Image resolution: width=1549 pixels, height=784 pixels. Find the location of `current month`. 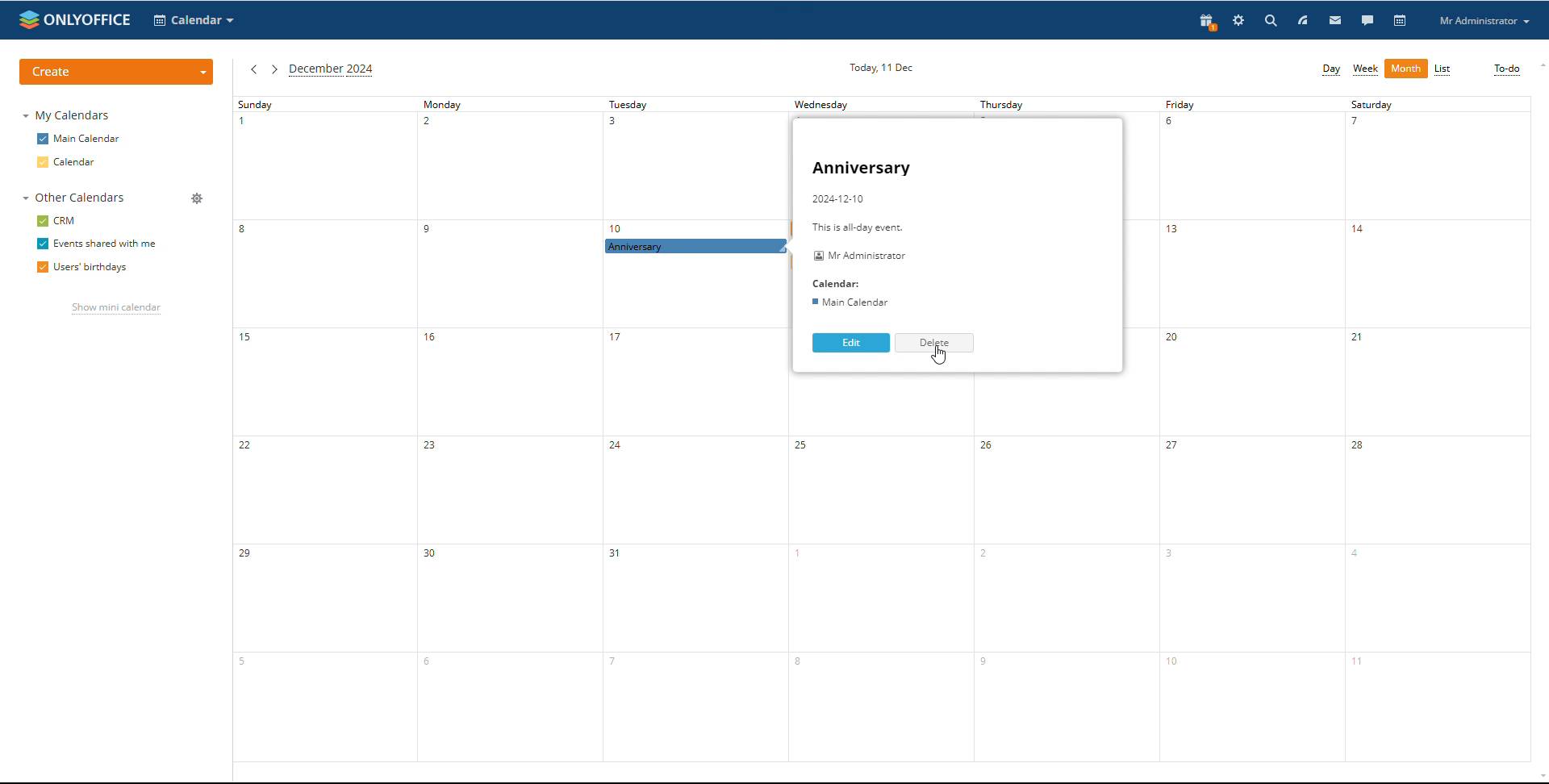

current month is located at coordinates (335, 71).